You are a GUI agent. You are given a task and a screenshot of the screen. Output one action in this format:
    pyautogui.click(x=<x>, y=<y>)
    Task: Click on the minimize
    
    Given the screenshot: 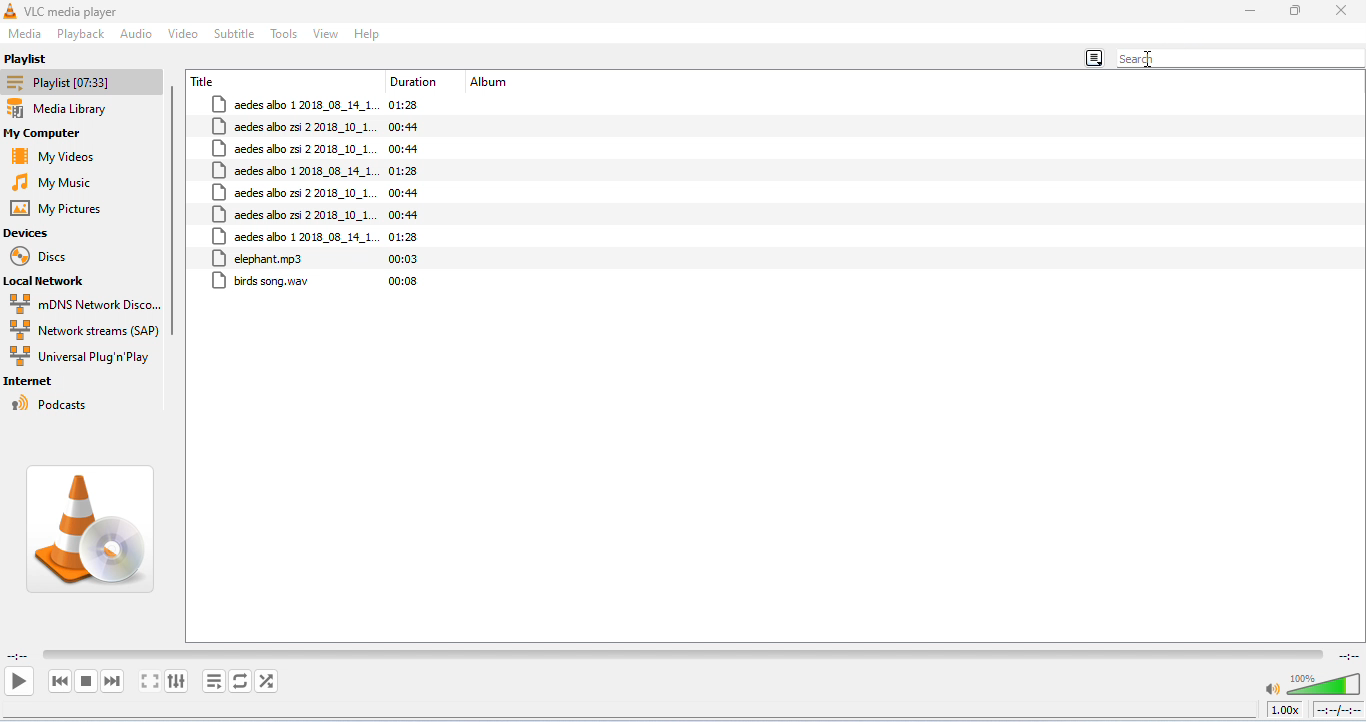 What is the action you would take?
    pyautogui.click(x=1249, y=12)
    